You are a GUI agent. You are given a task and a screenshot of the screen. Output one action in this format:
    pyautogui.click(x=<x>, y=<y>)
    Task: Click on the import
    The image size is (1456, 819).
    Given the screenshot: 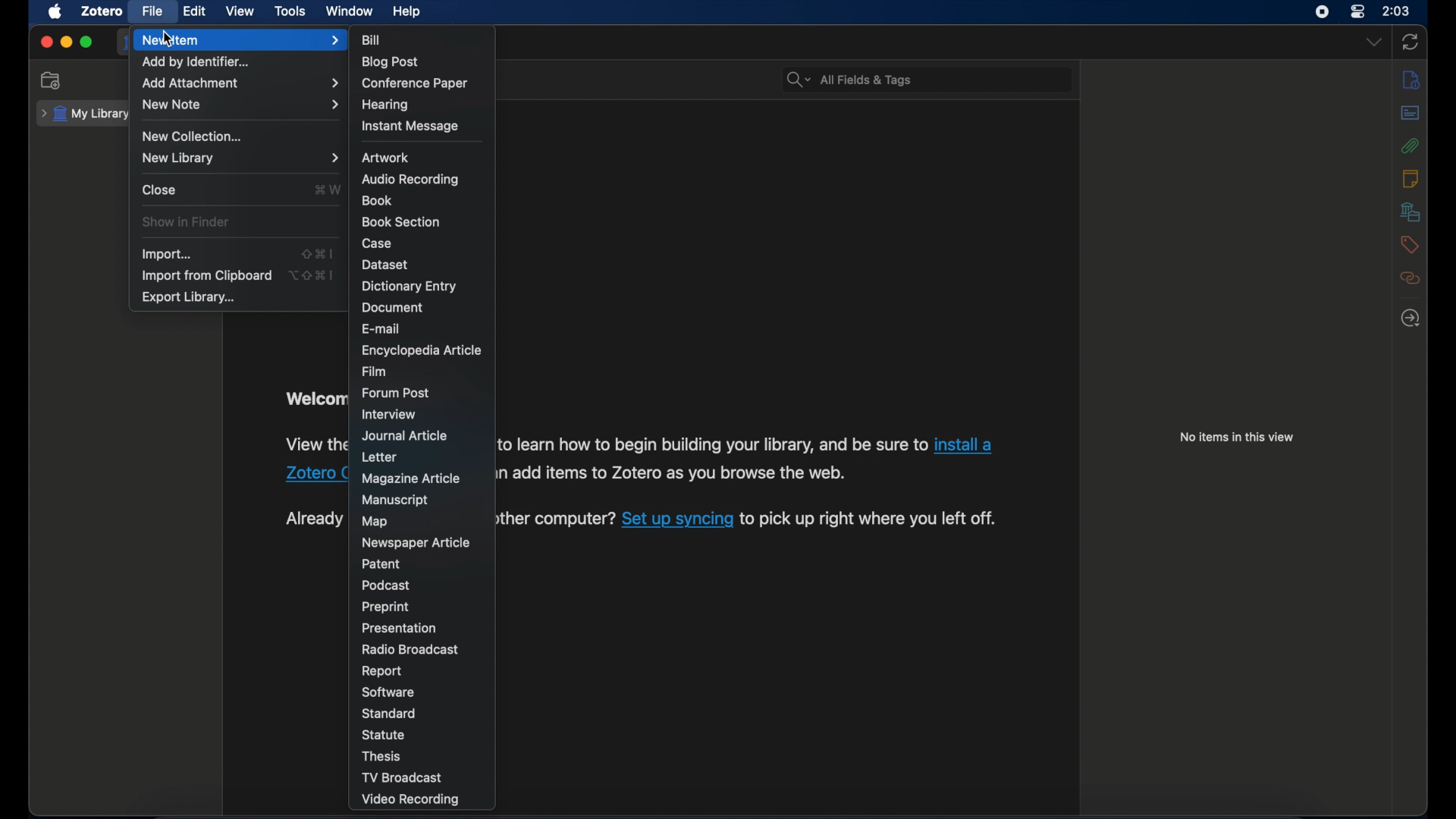 What is the action you would take?
    pyautogui.click(x=165, y=255)
    